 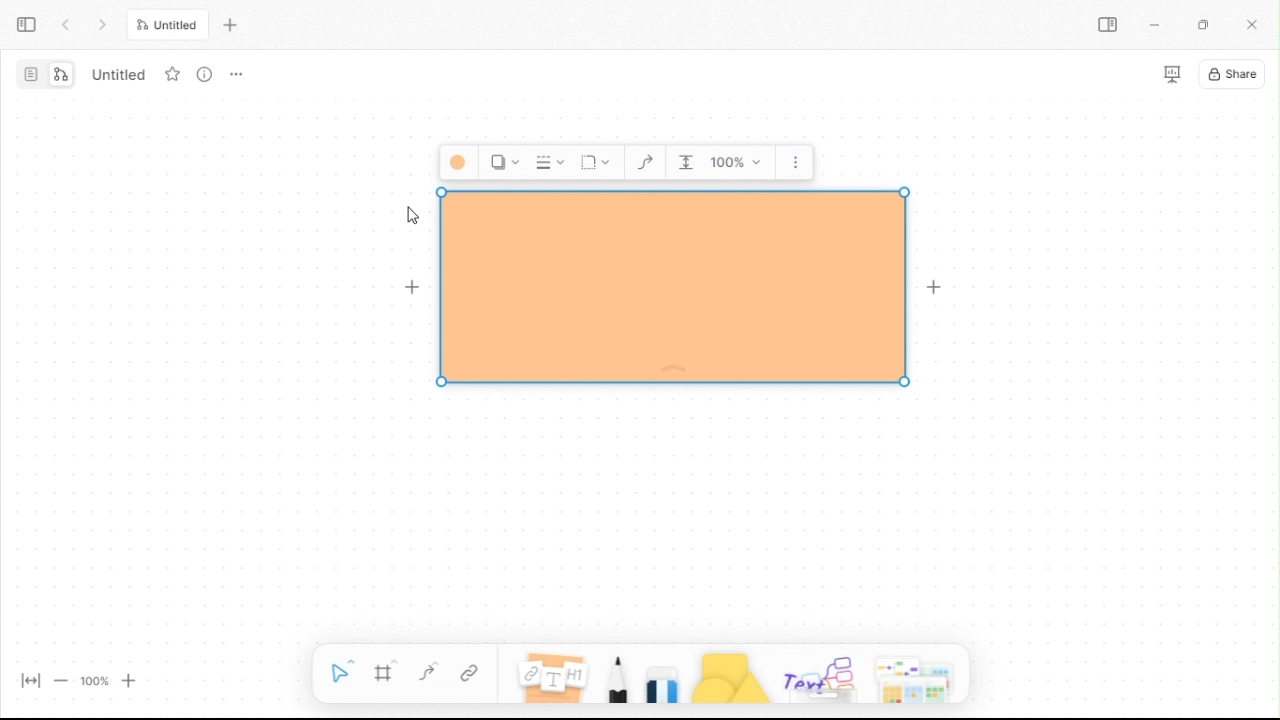 I want to click on fit width, so click(x=31, y=682).